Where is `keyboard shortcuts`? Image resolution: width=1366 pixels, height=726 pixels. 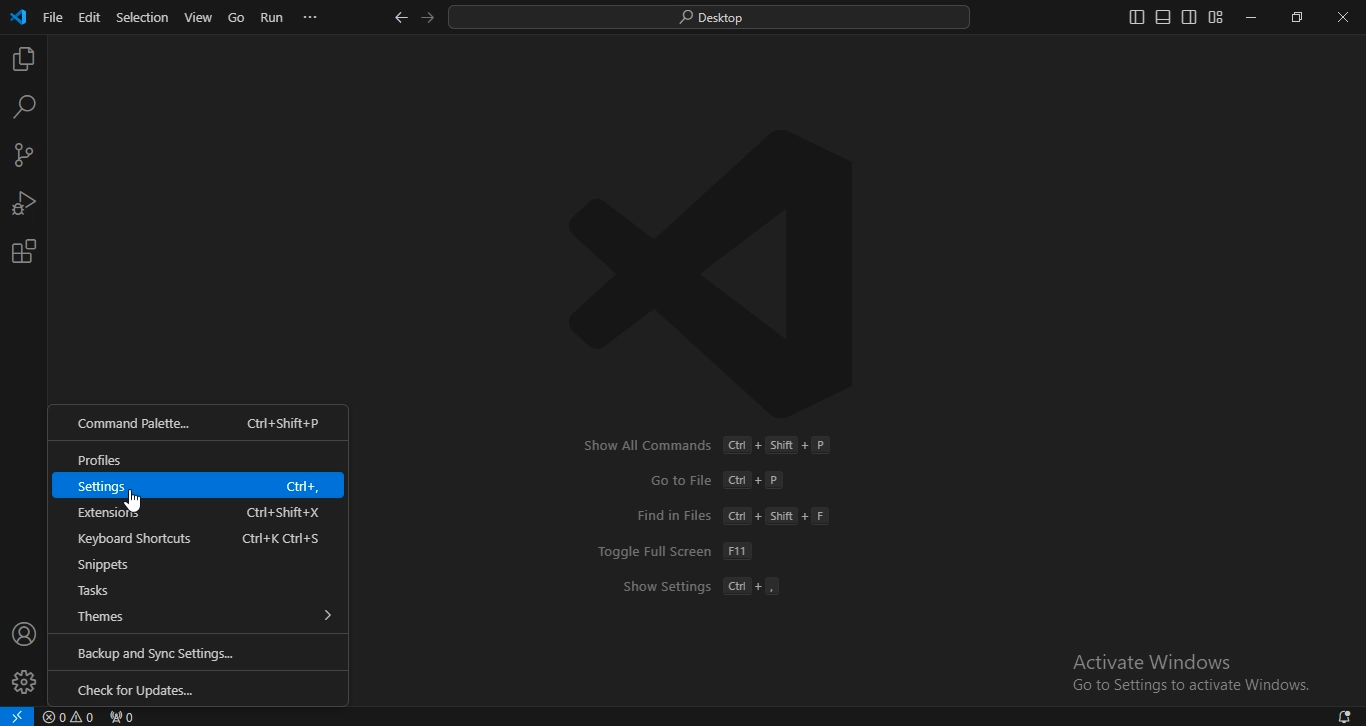 keyboard shortcuts is located at coordinates (145, 538).